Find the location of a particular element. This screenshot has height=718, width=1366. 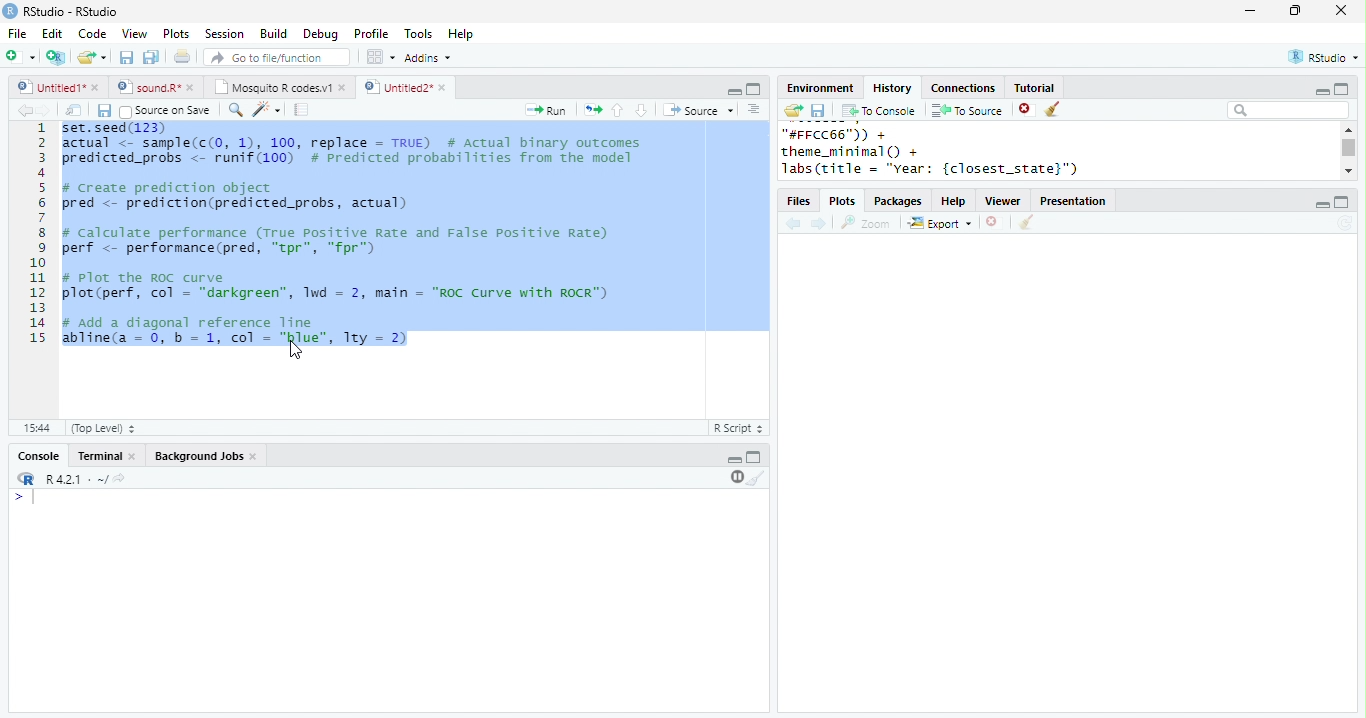

search is located at coordinates (236, 110).